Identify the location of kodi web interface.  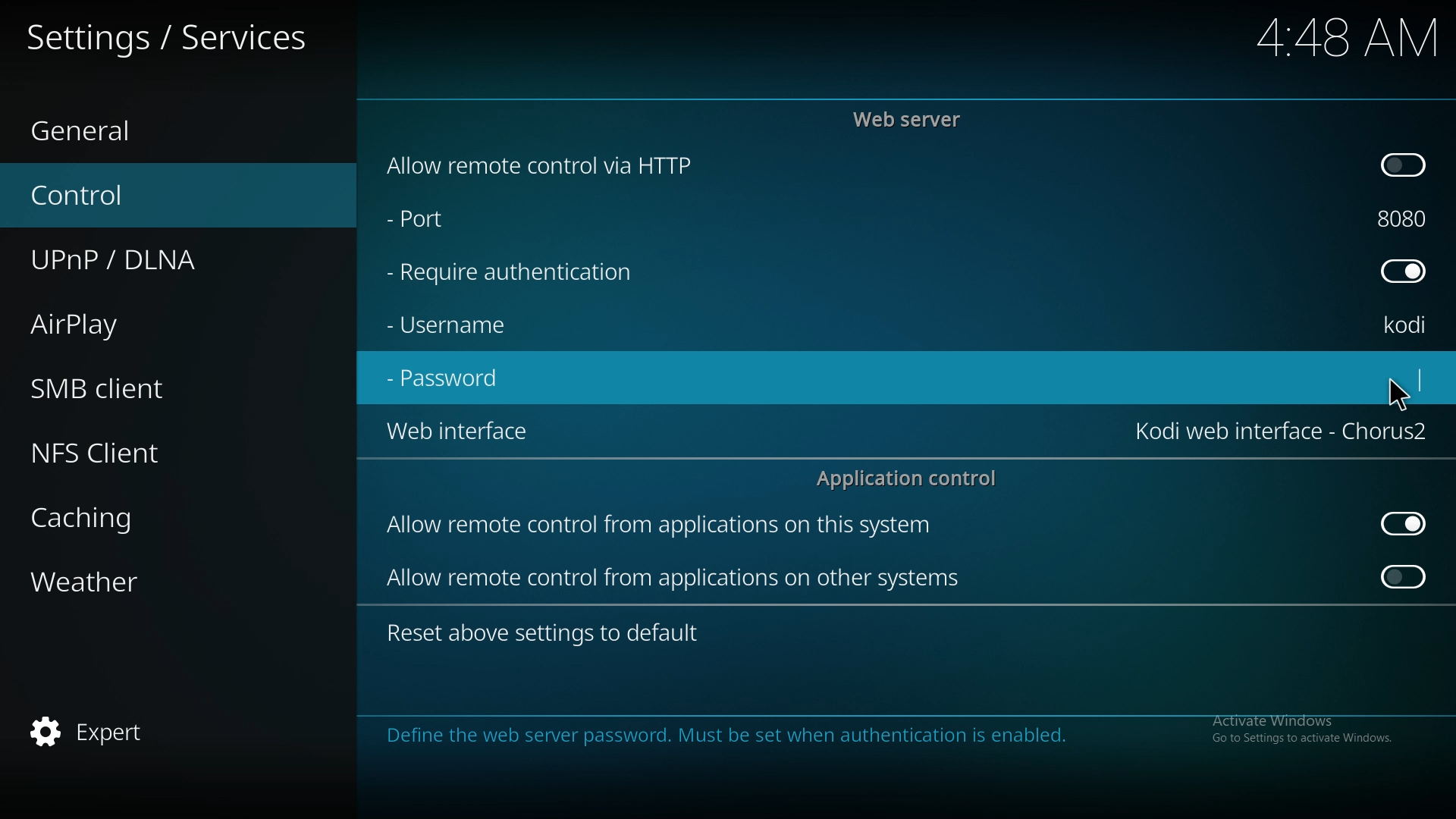
(1281, 431).